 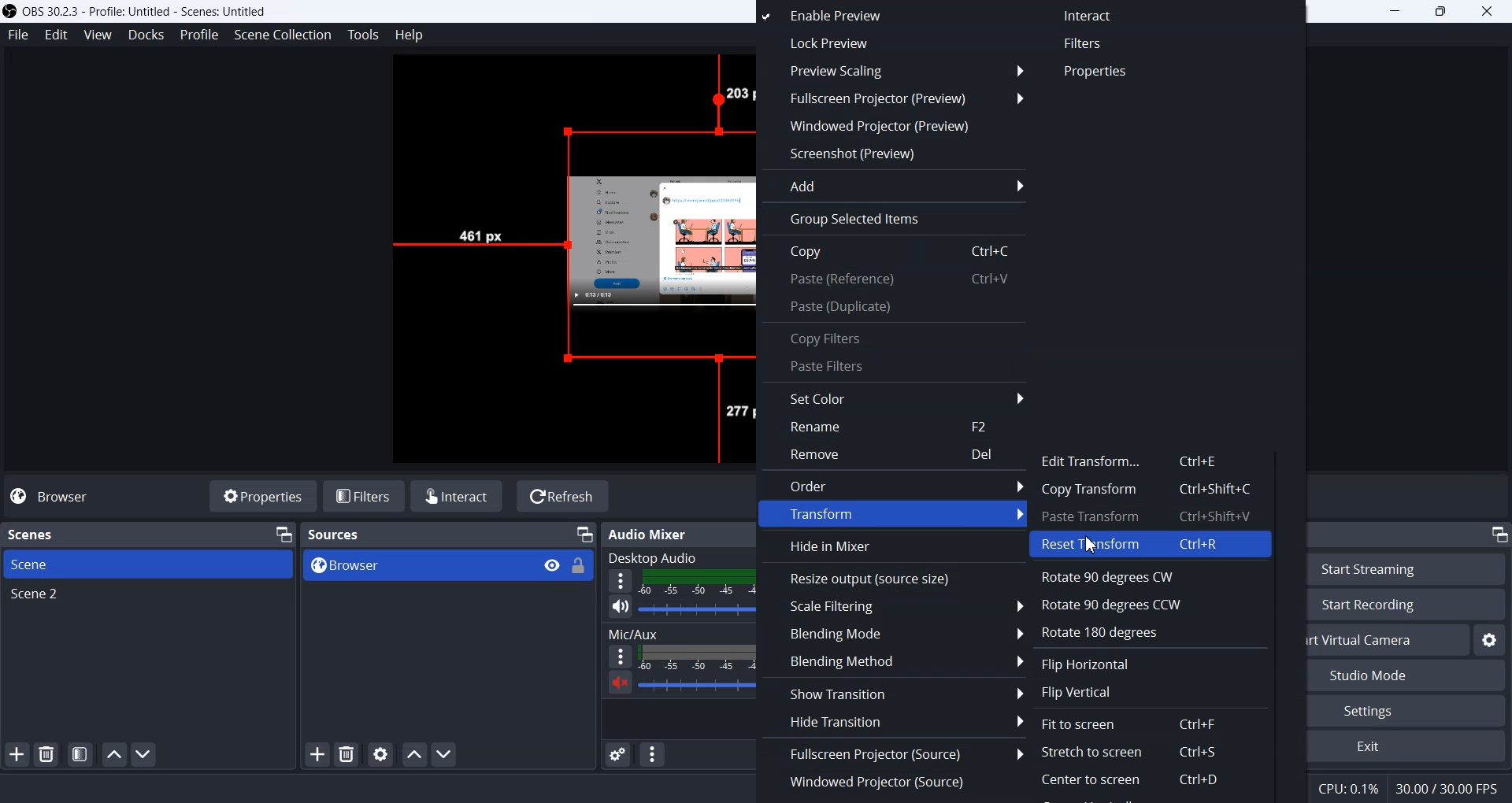 I want to click on Mute / Unmute sound, so click(x=614, y=688).